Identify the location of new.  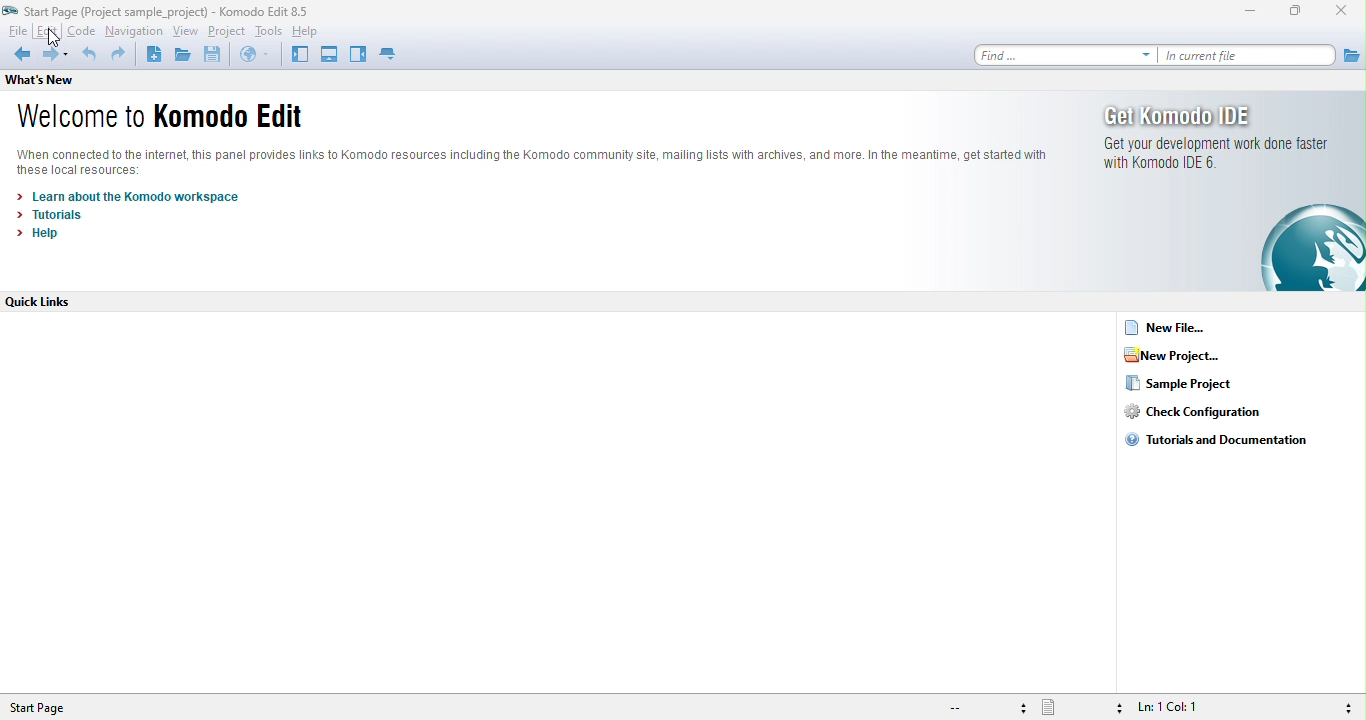
(153, 56).